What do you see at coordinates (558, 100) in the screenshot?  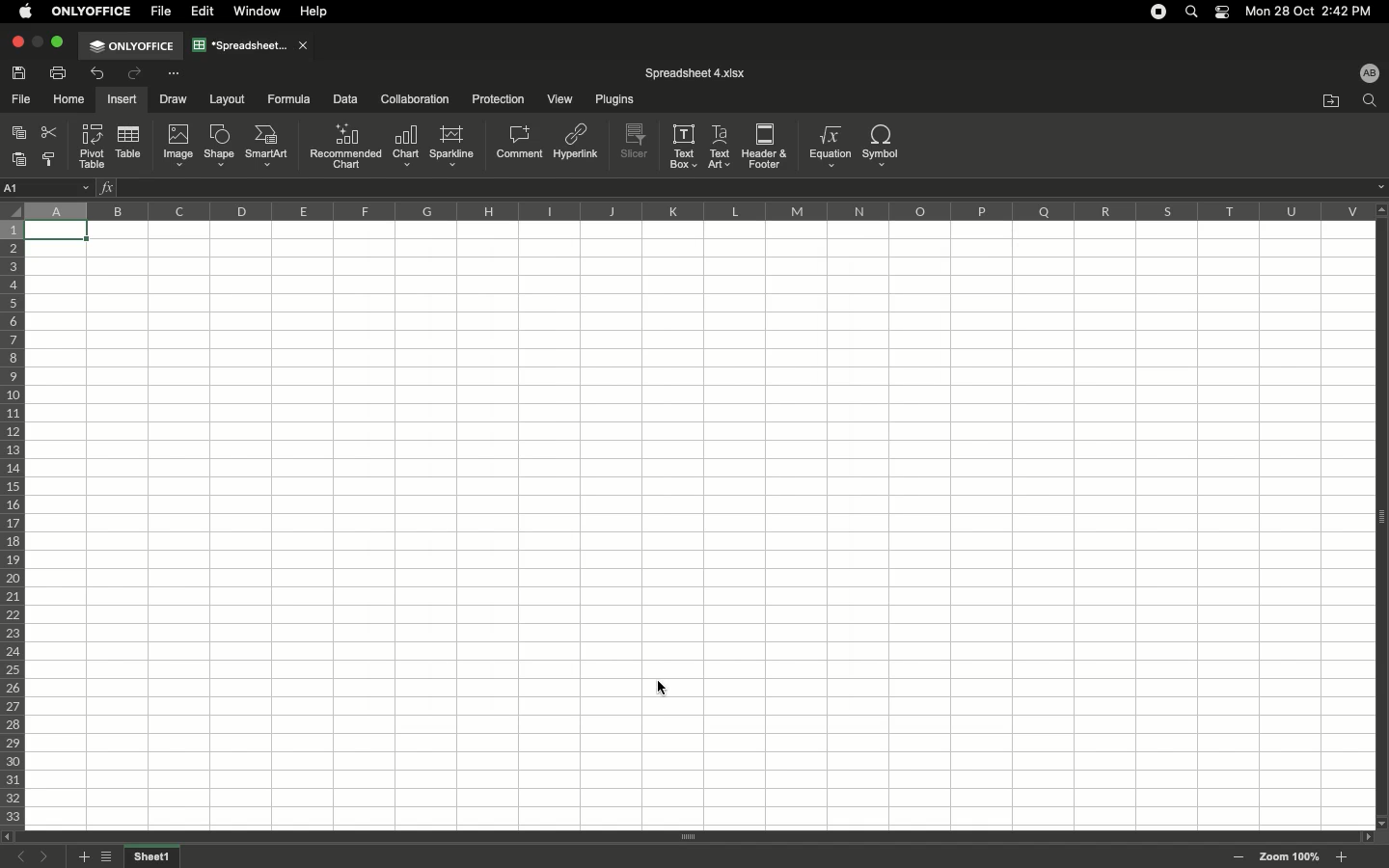 I see `View` at bounding box center [558, 100].